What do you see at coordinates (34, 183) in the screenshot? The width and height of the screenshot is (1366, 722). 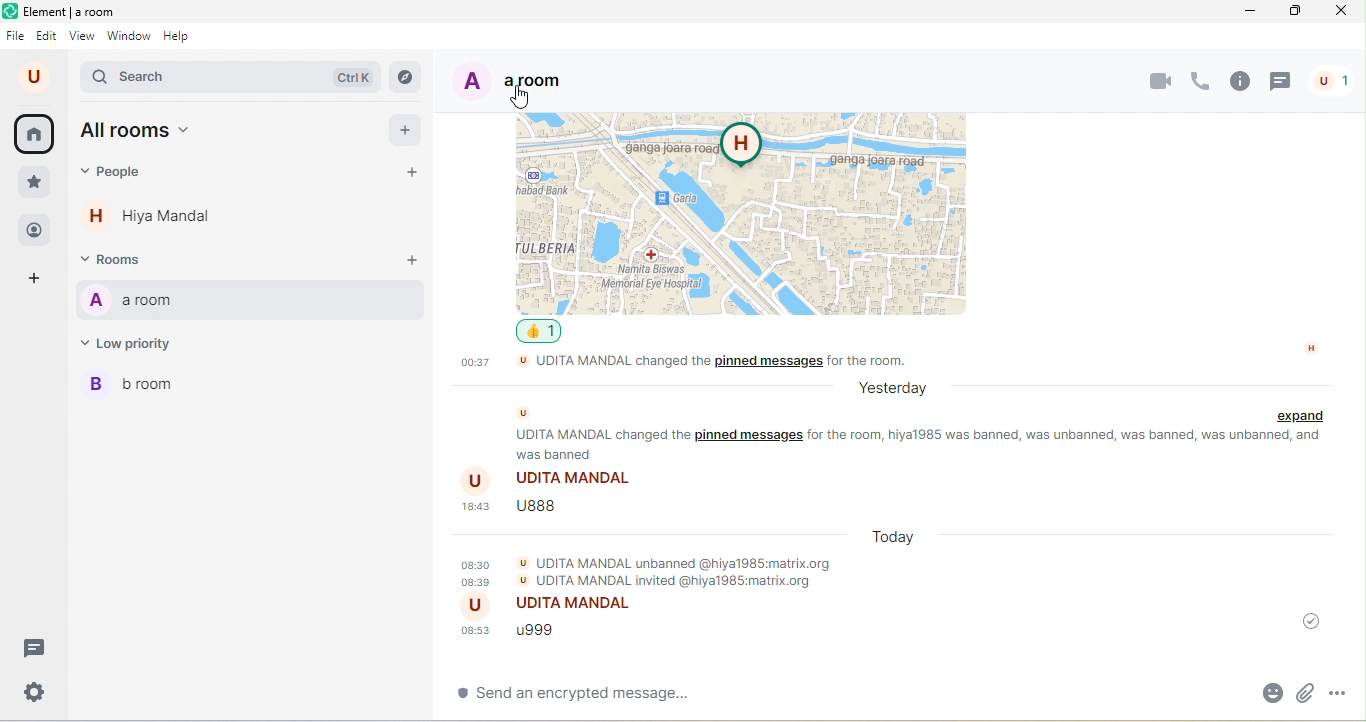 I see `favourites` at bounding box center [34, 183].